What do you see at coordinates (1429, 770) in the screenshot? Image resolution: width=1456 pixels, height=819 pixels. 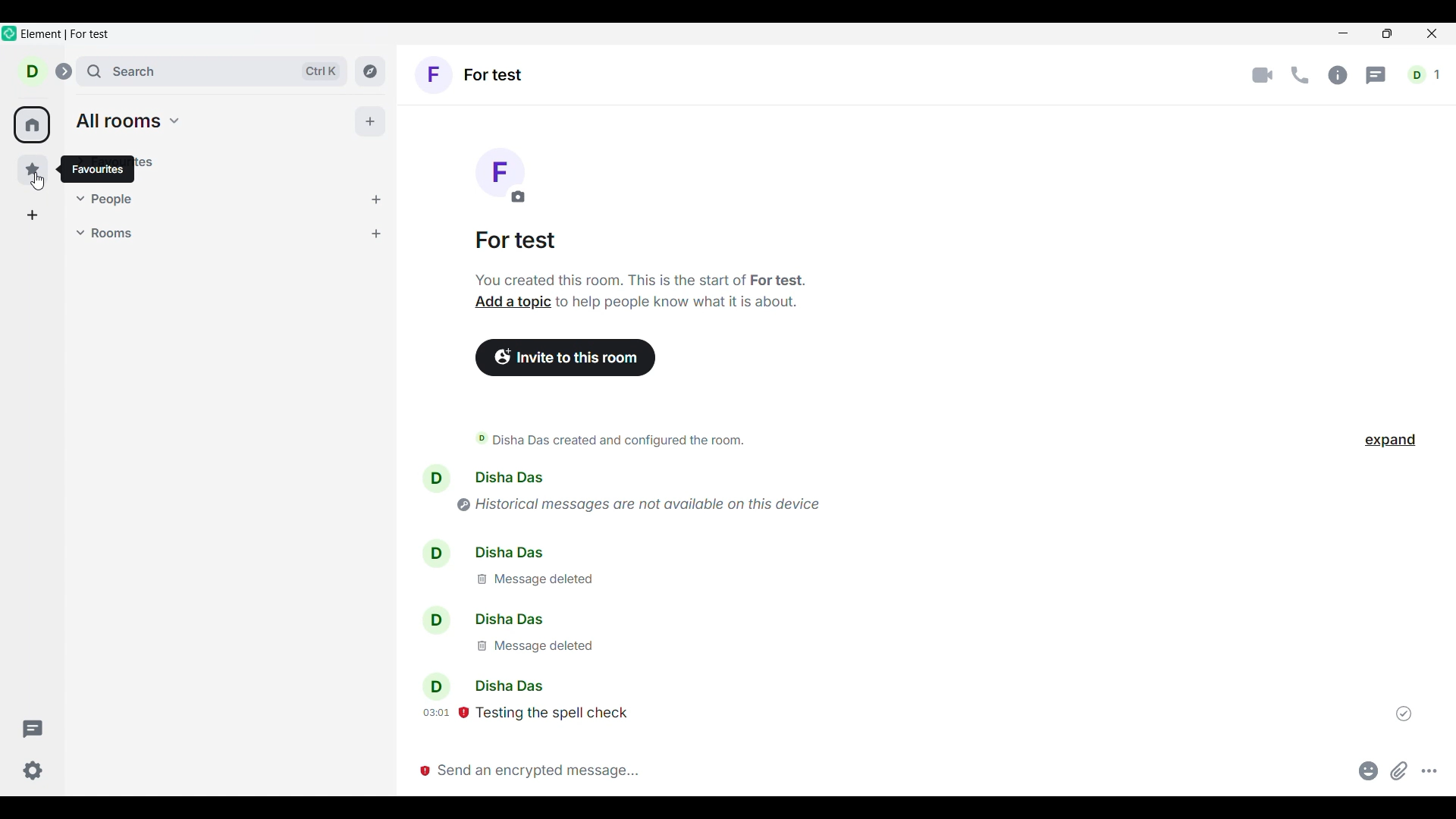 I see `More options` at bounding box center [1429, 770].